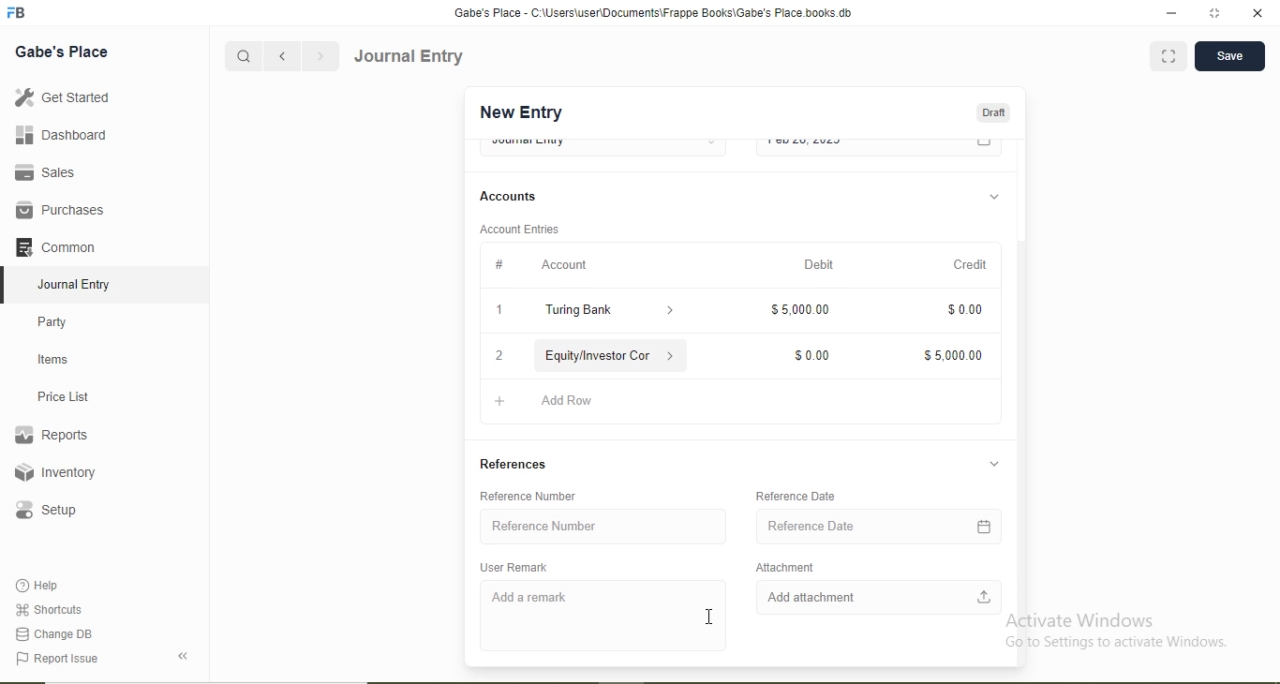 The height and width of the screenshot is (684, 1280). I want to click on Turing Bank, so click(579, 311).